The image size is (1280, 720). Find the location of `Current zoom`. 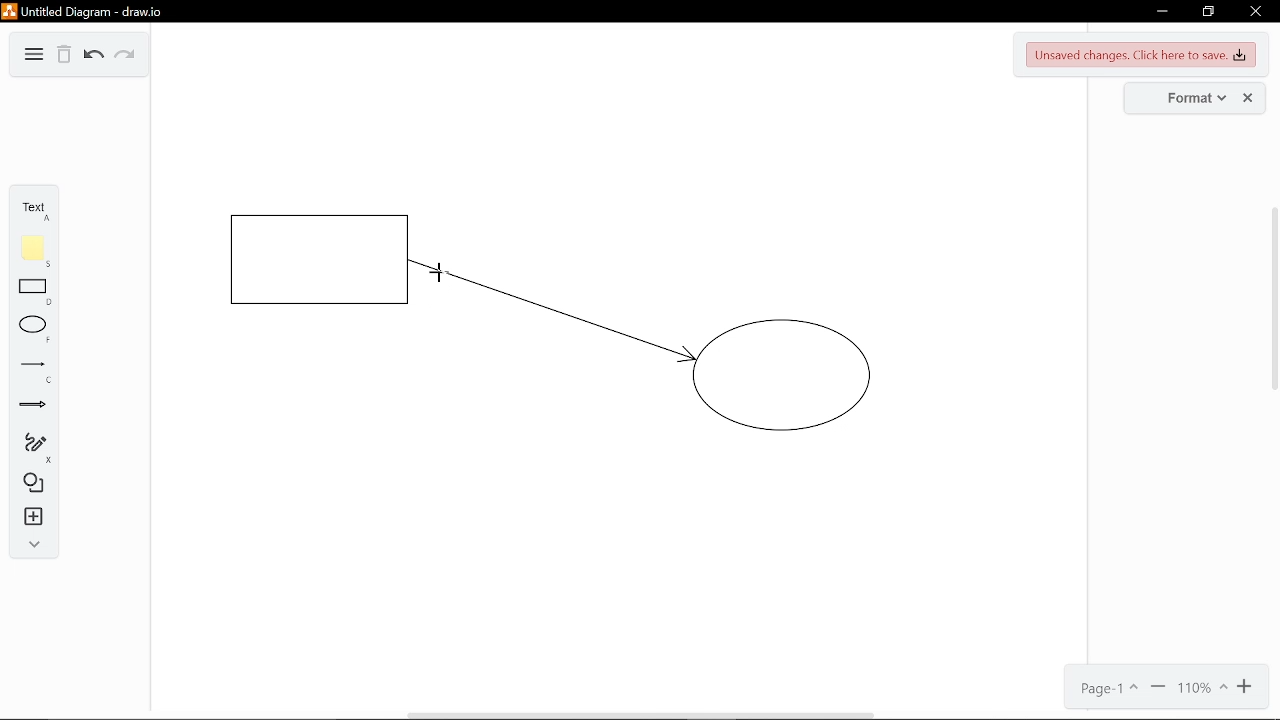

Current zoom is located at coordinates (1202, 687).